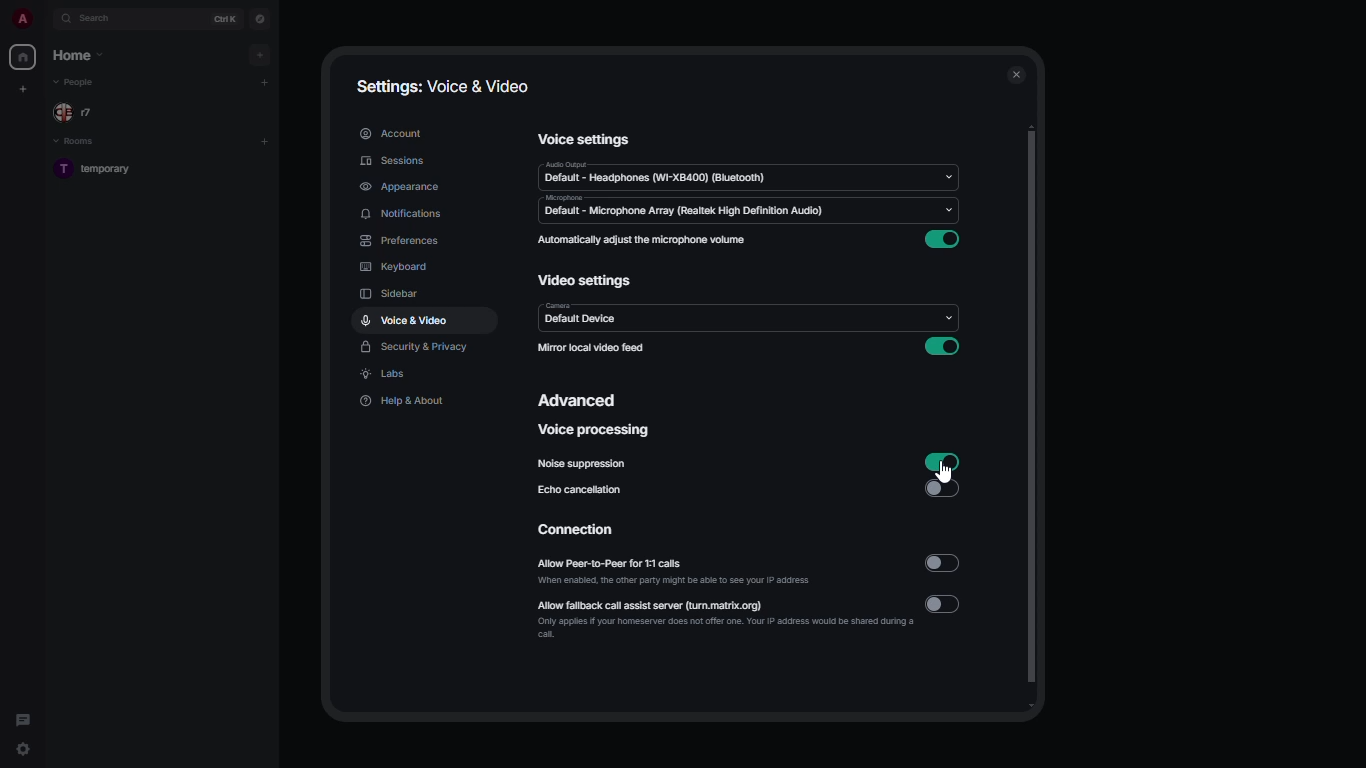 This screenshot has height=768, width=1366. I want to click on video settings, so click(589, 282).